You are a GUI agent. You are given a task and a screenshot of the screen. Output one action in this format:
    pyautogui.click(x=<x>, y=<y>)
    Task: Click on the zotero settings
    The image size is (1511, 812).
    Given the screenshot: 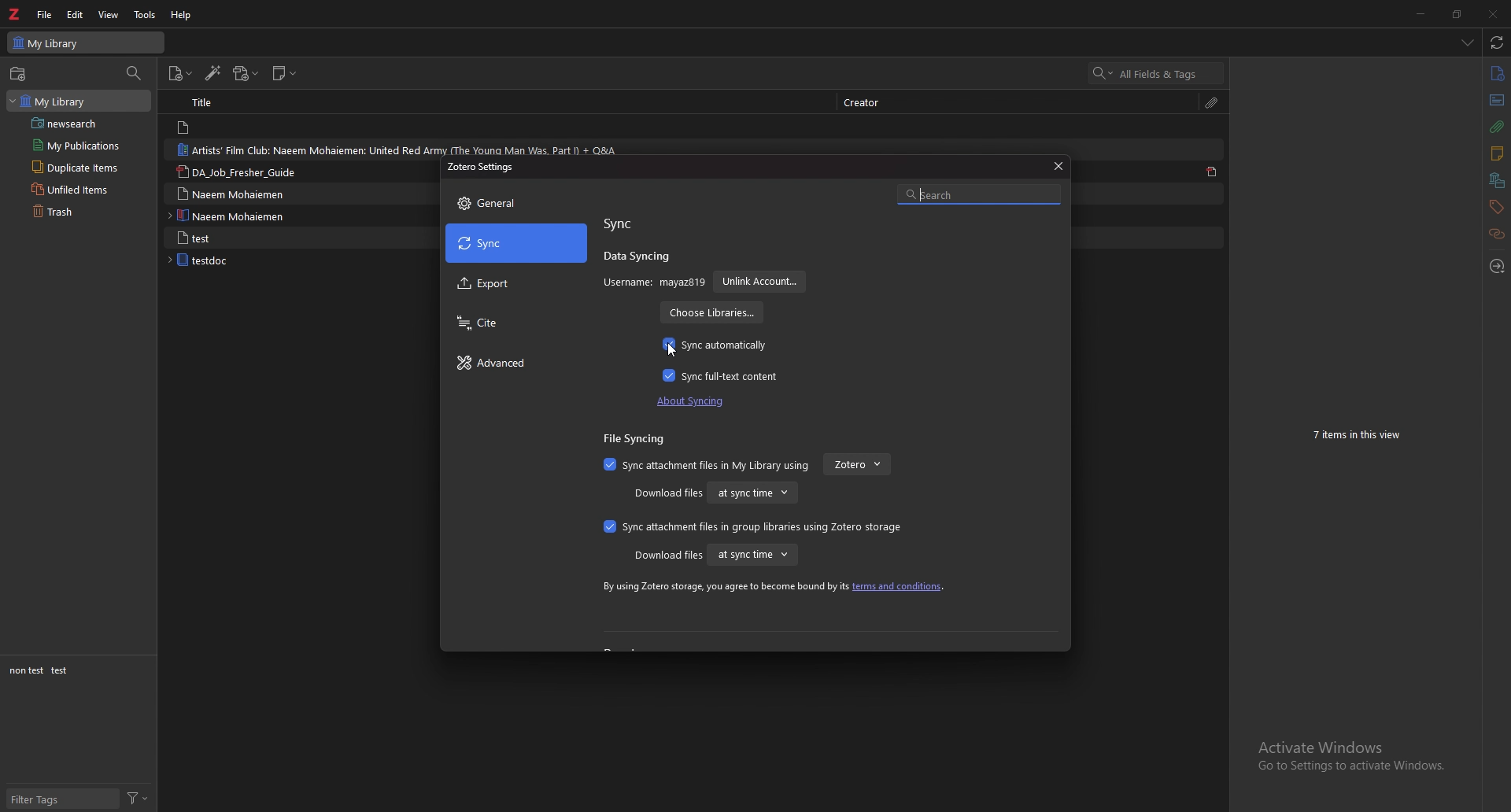 What is the action you would take?
    pyautogui.click(x=482, y=167)
    